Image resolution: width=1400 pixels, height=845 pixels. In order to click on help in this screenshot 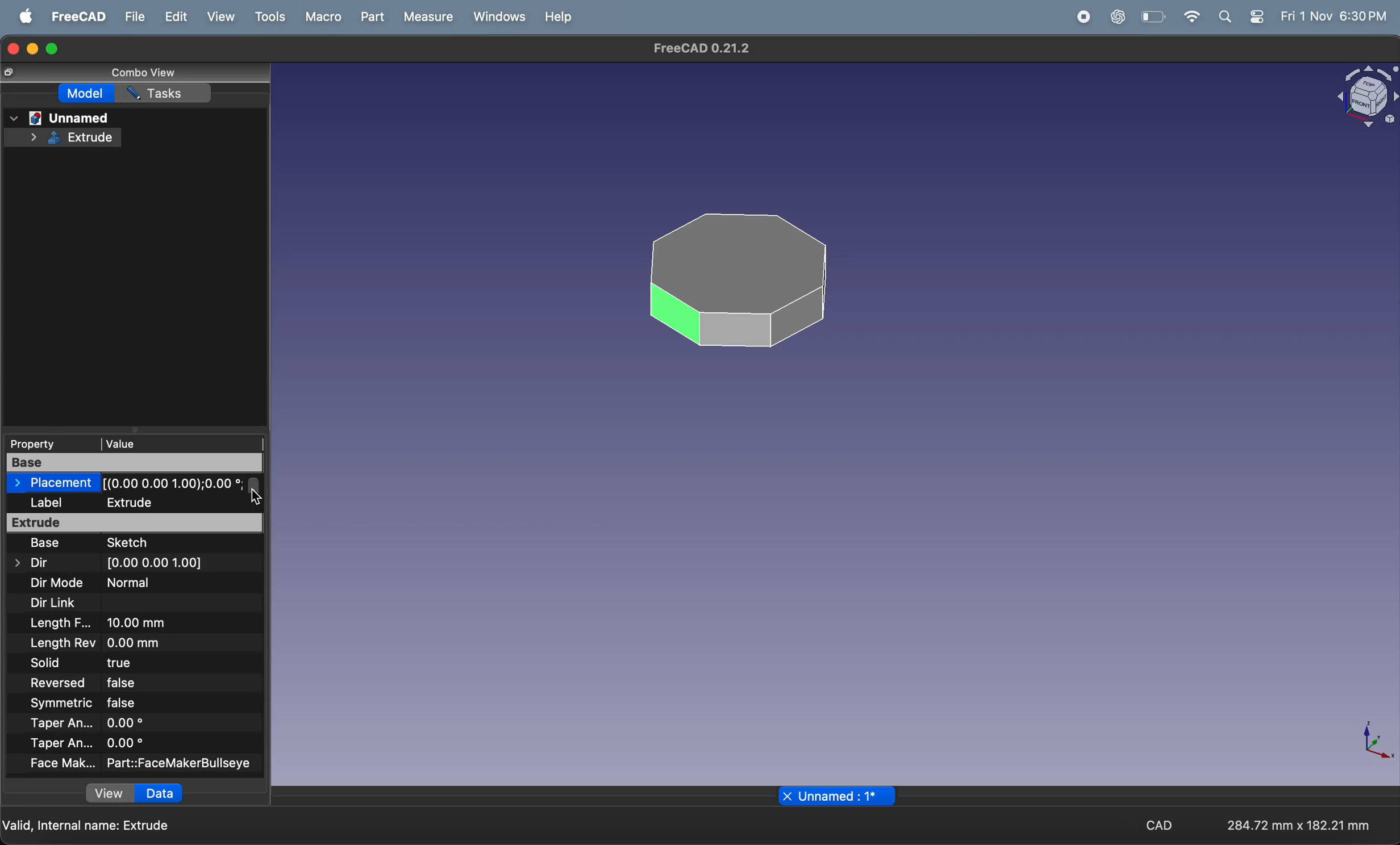, I will do `click(561, 16)`.